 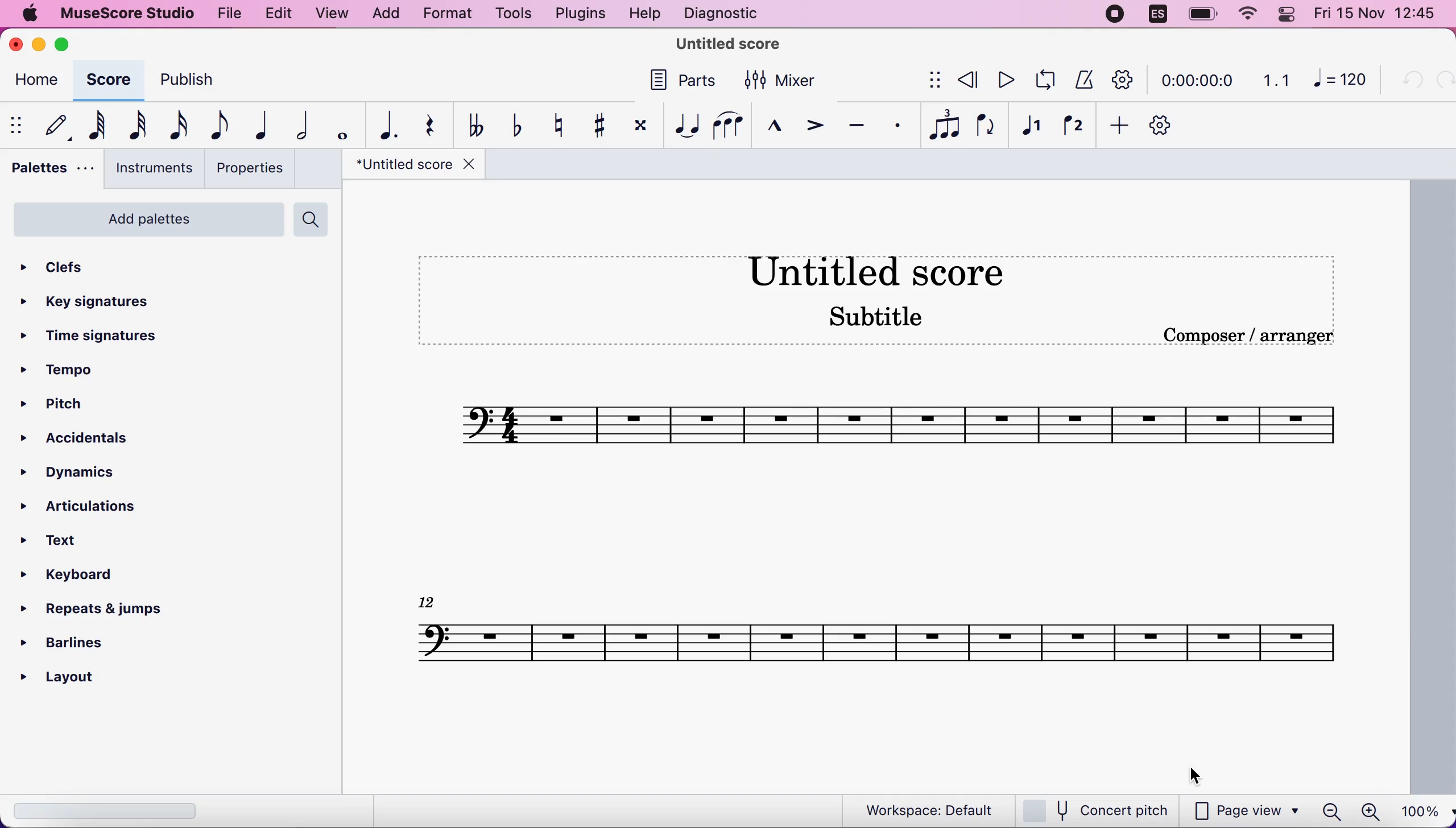 I want to click on playback settings, so click(x=1126, y=81).